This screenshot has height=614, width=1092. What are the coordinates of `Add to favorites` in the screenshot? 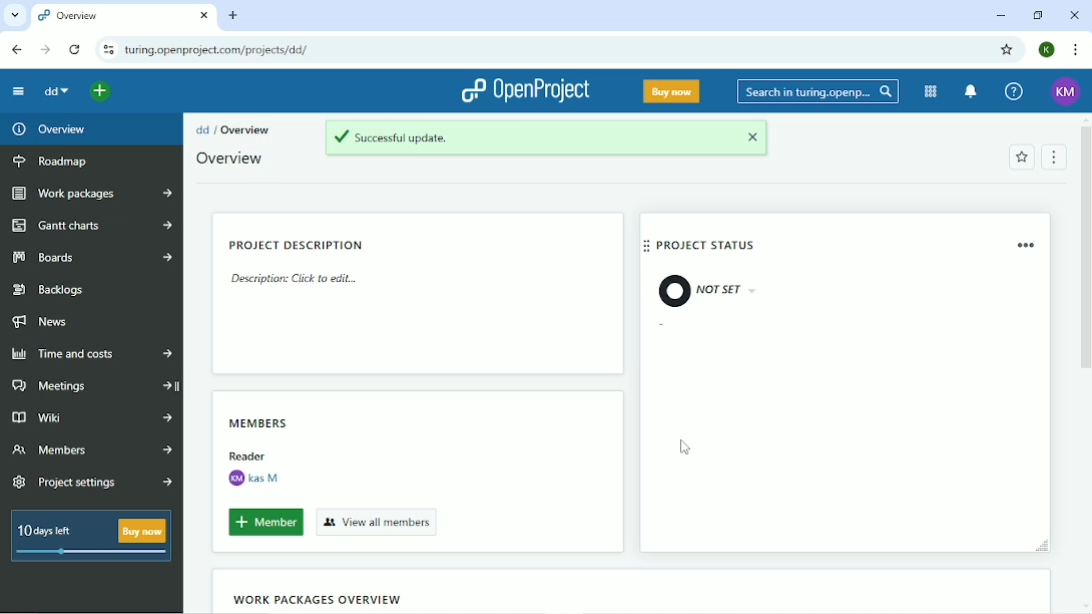 It's located at (1020, 158).